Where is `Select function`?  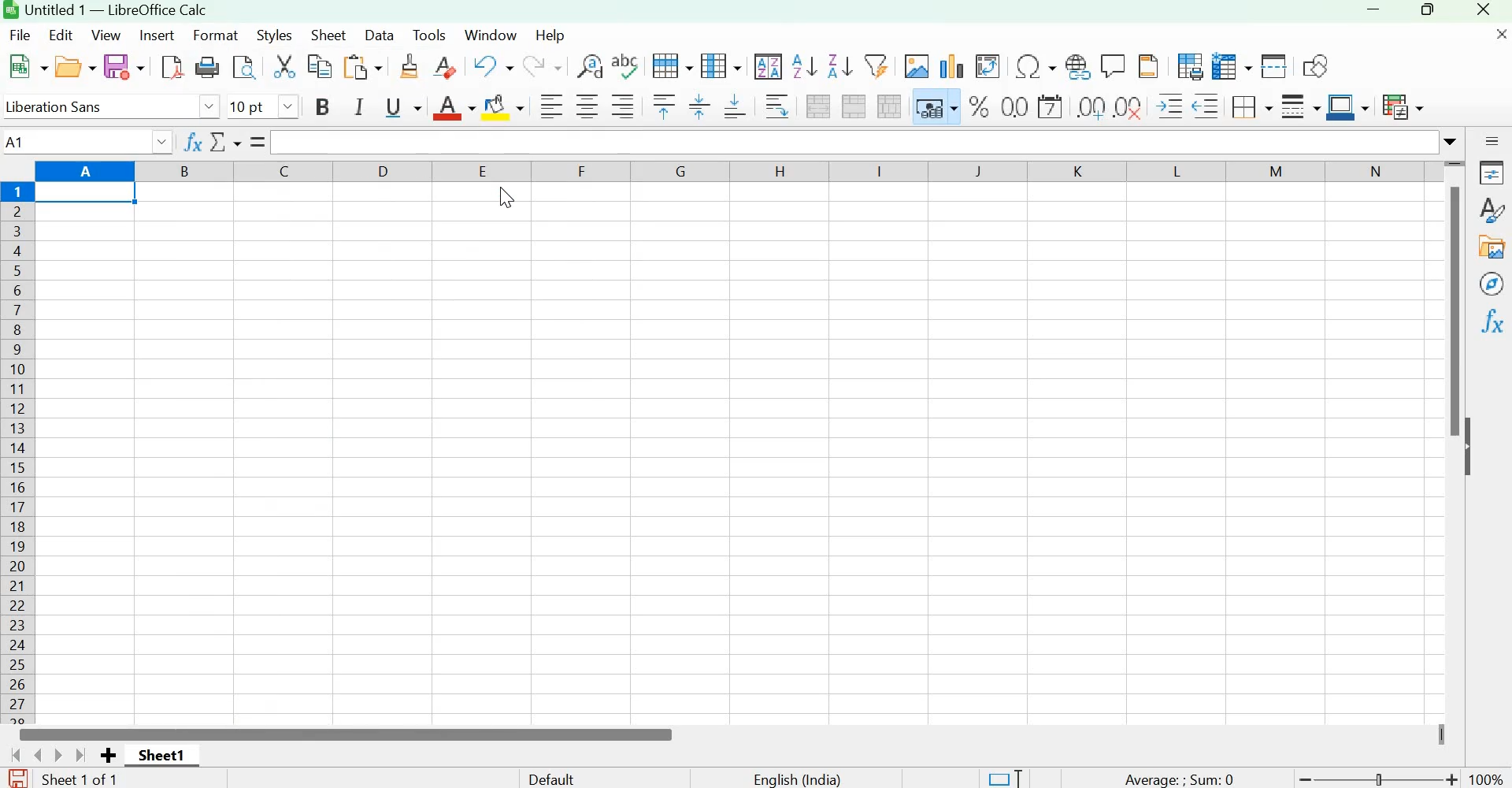
Select function is located at coordinates (226, 142).